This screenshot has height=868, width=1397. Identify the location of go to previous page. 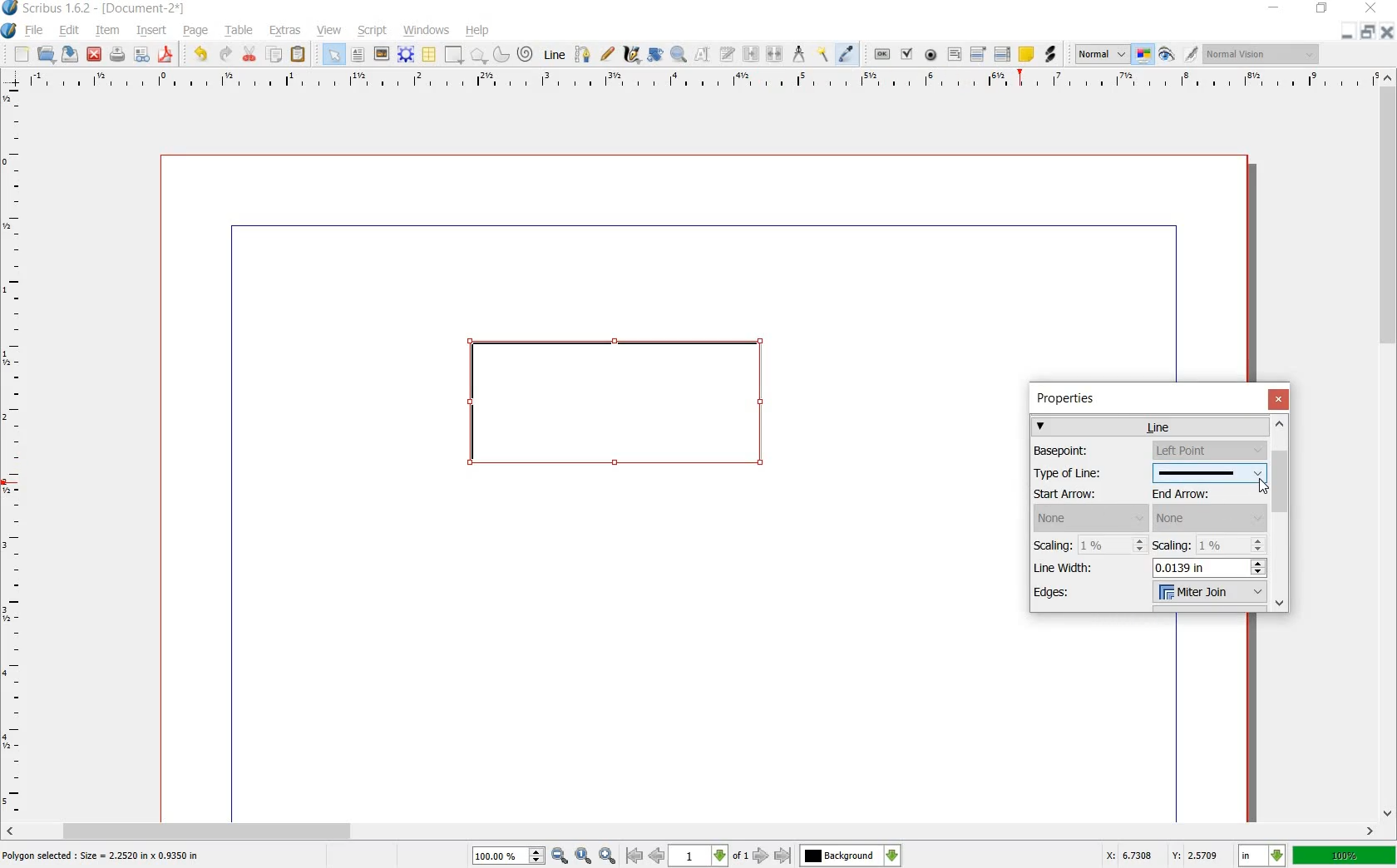
(656, 856).